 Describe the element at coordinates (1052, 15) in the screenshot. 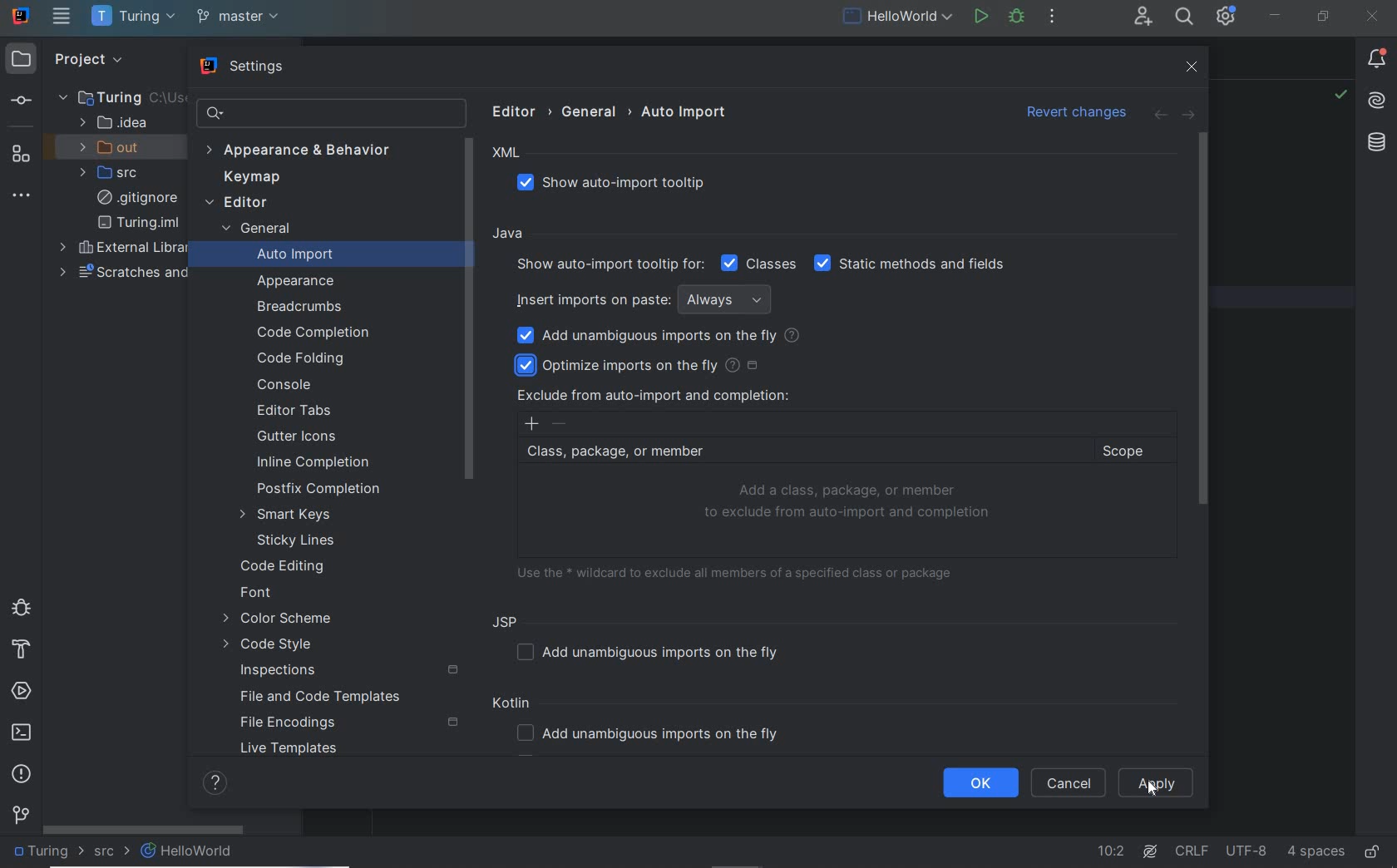

I see `MORE ACTIONS` at that location.